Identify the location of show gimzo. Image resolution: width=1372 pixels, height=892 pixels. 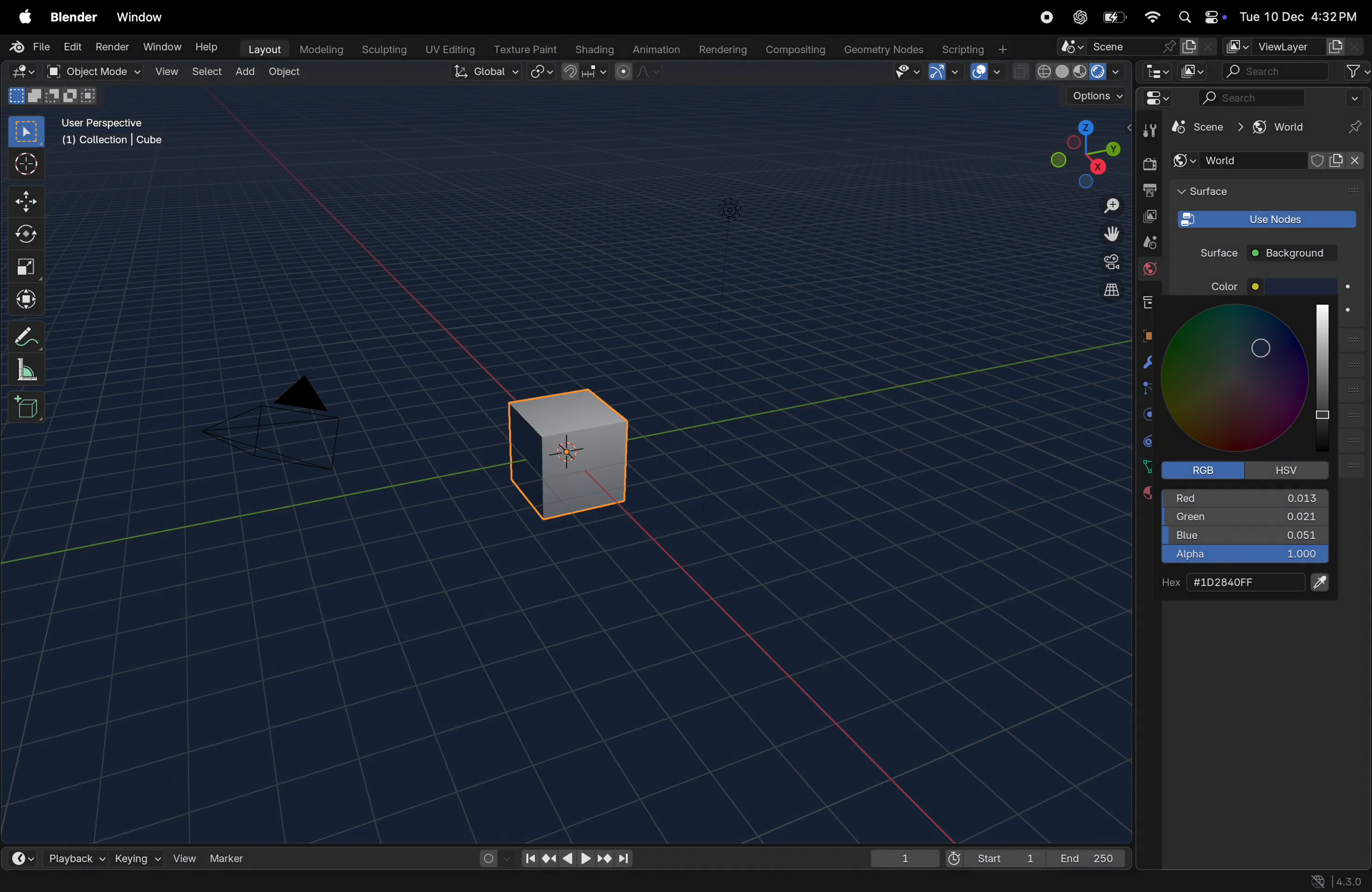
(947, 72).